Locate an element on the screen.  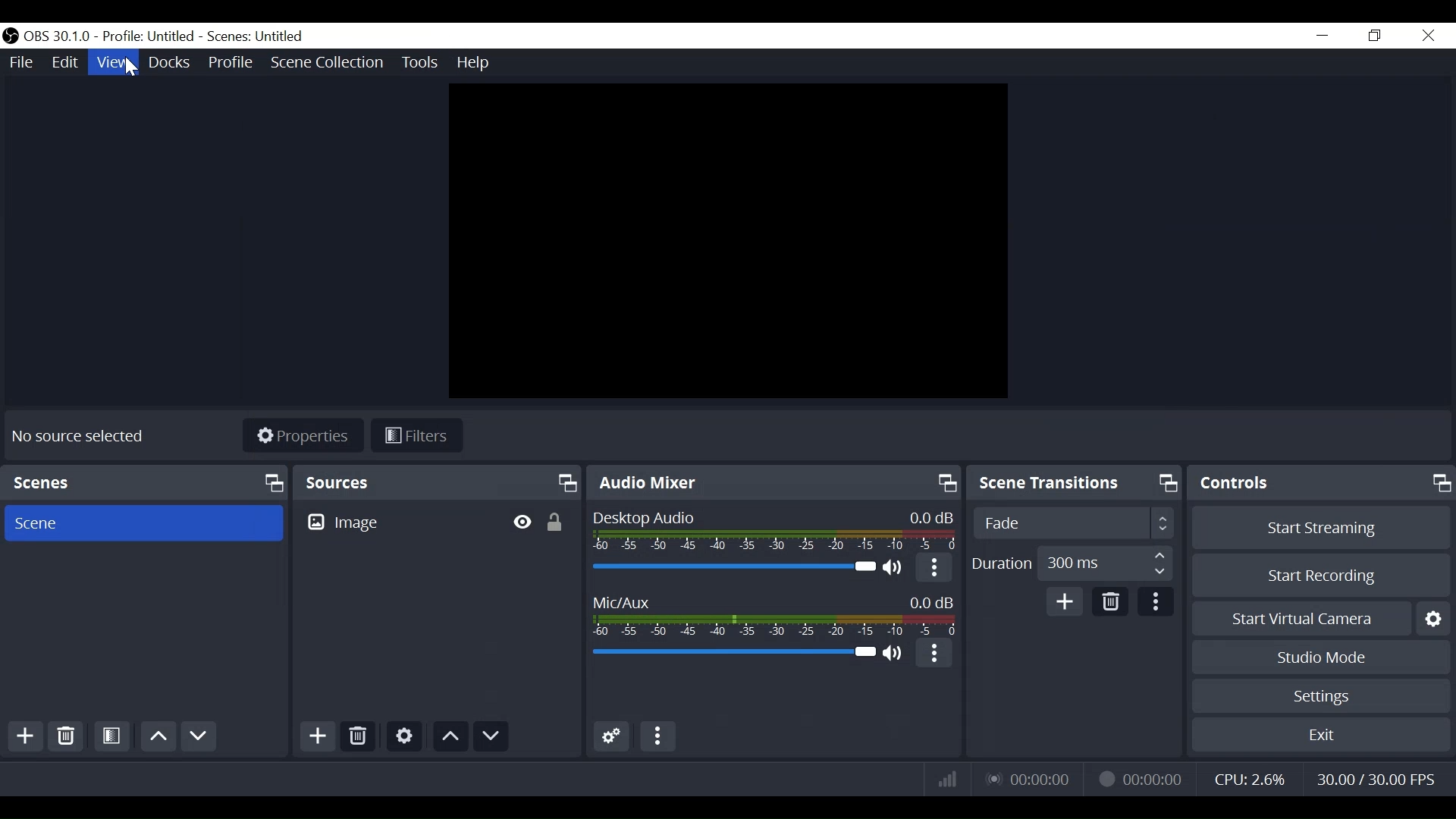
Recording Status is located at coordinates (1140, 777).